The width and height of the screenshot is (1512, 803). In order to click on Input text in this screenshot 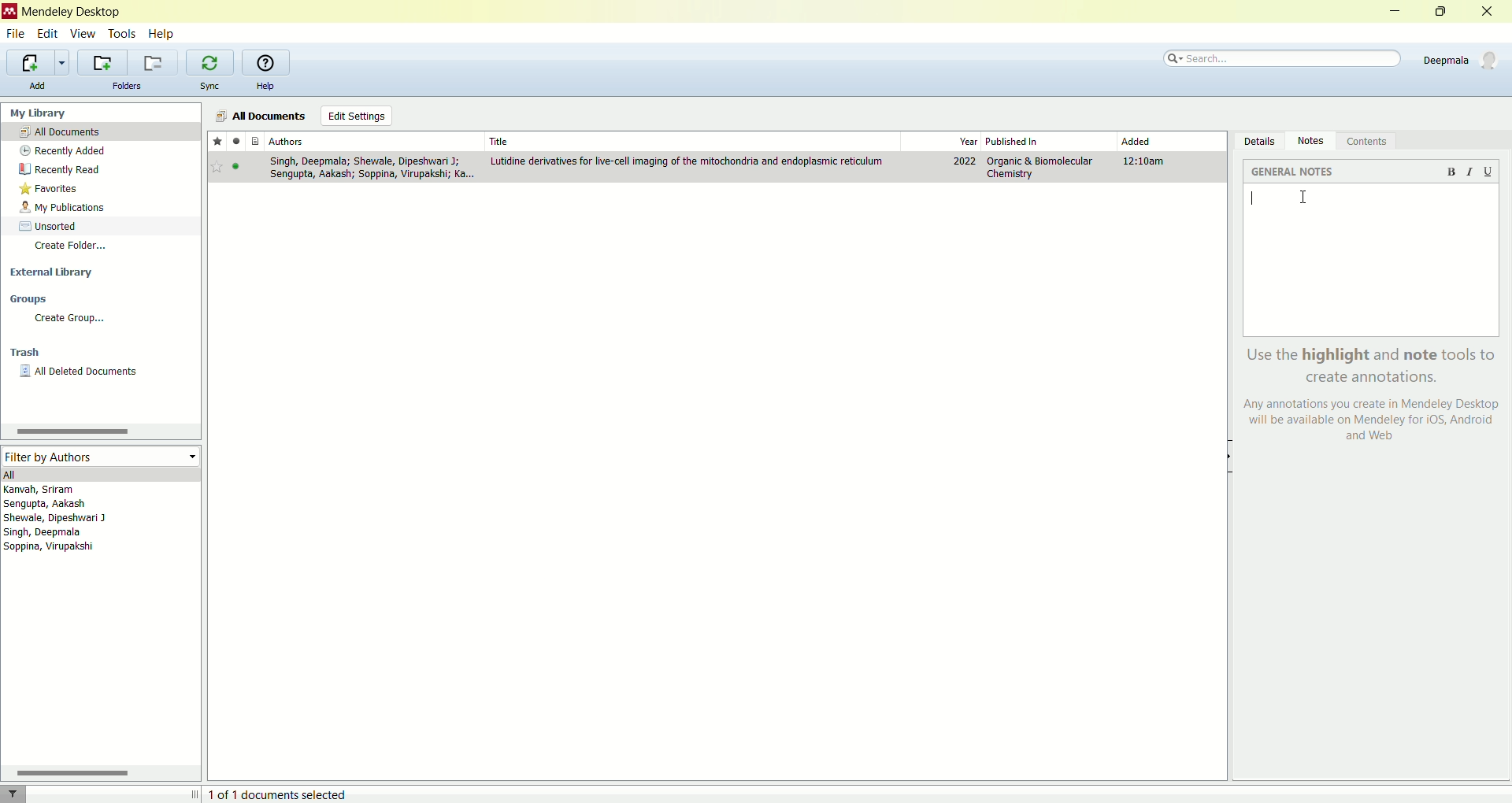, I will do `click(1255, 198)`.